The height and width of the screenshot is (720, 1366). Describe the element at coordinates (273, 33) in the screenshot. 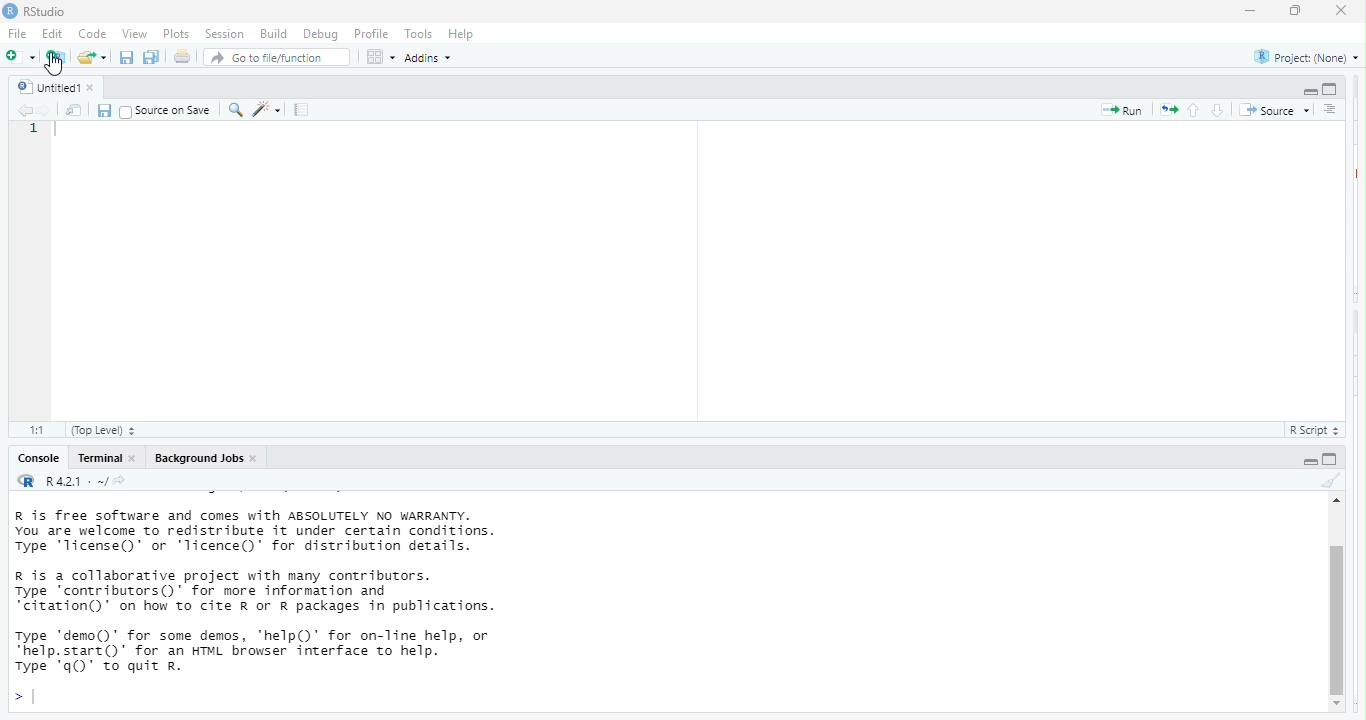

I see `Build` at that location.